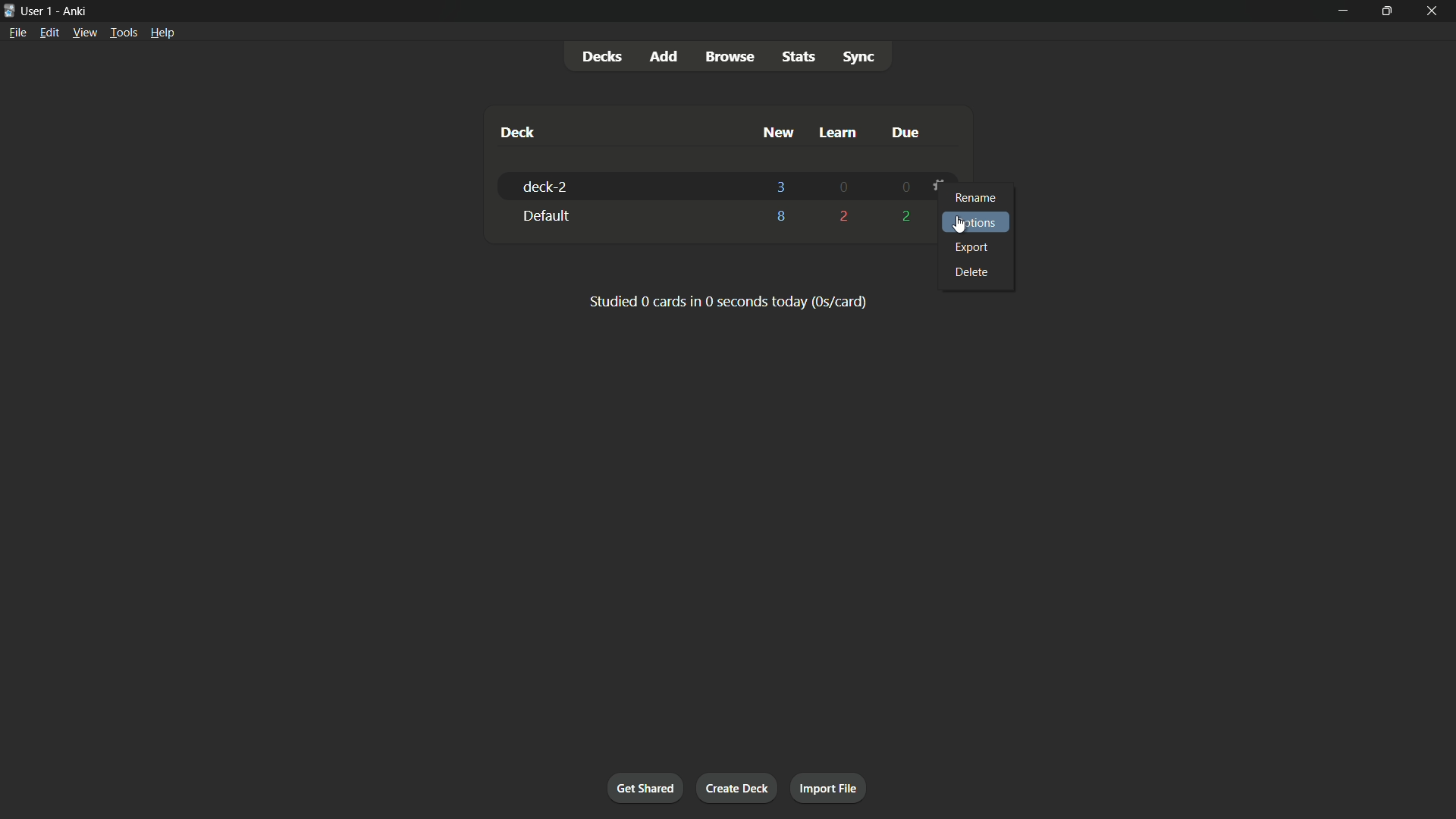 The width and height of the screenshot is (1456, 819). Describe the element at coordinates (977, 199) in the screenshot. I see `rename` at that location.